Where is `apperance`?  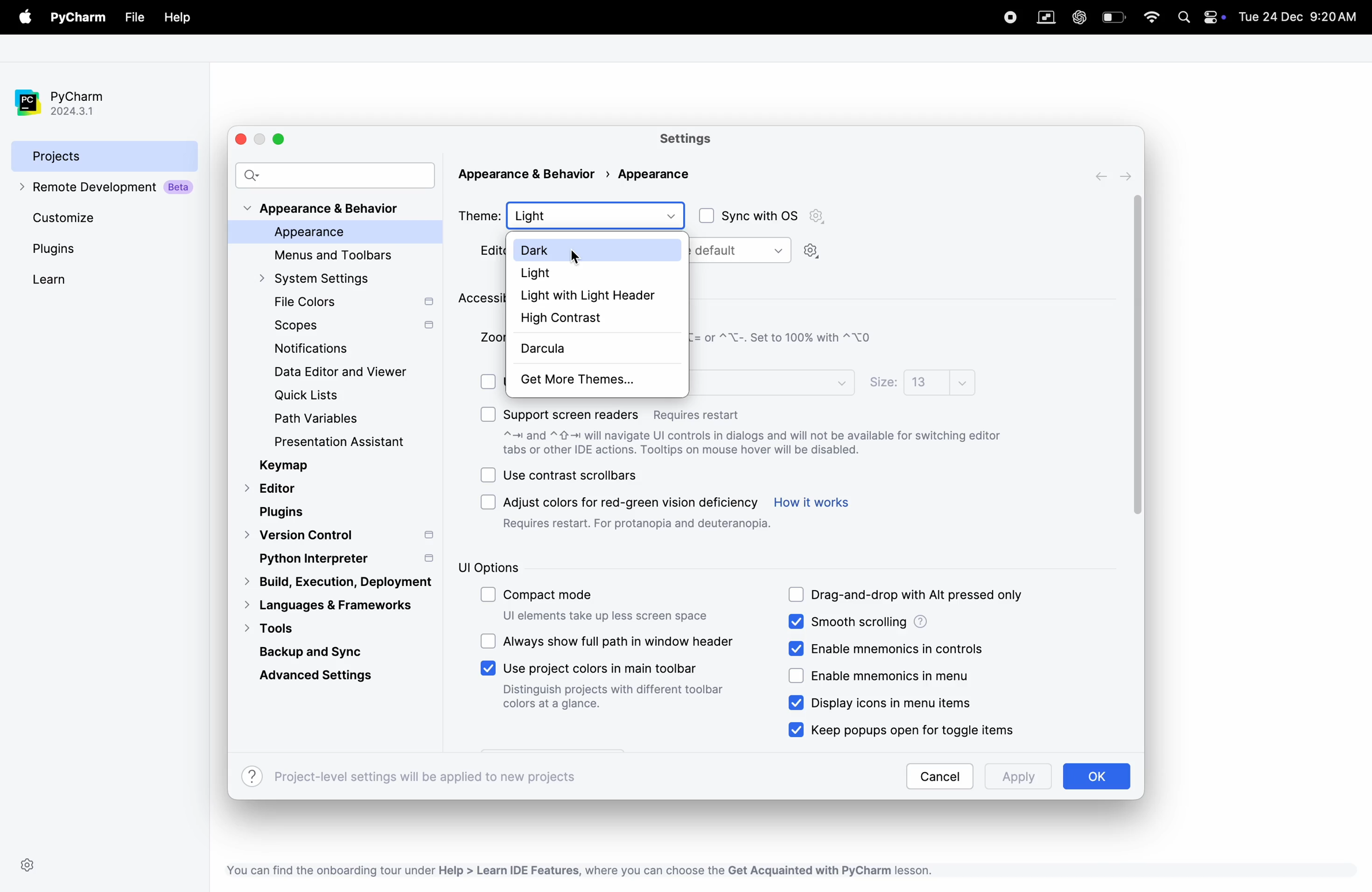 apperance is located at coordinates (329, 233).